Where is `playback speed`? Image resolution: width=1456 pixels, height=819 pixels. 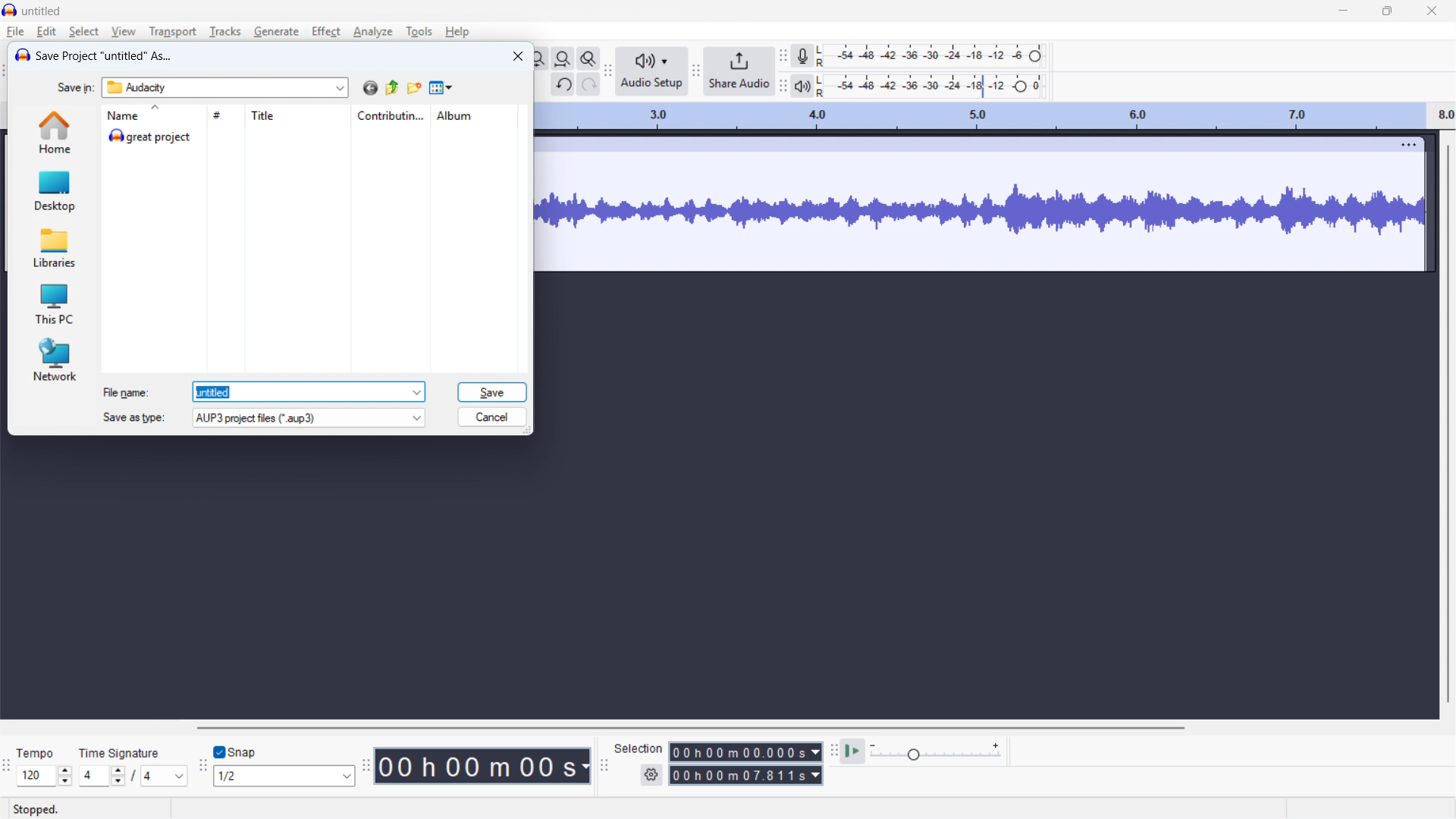 playback speed is located at coordinates (935, 752).